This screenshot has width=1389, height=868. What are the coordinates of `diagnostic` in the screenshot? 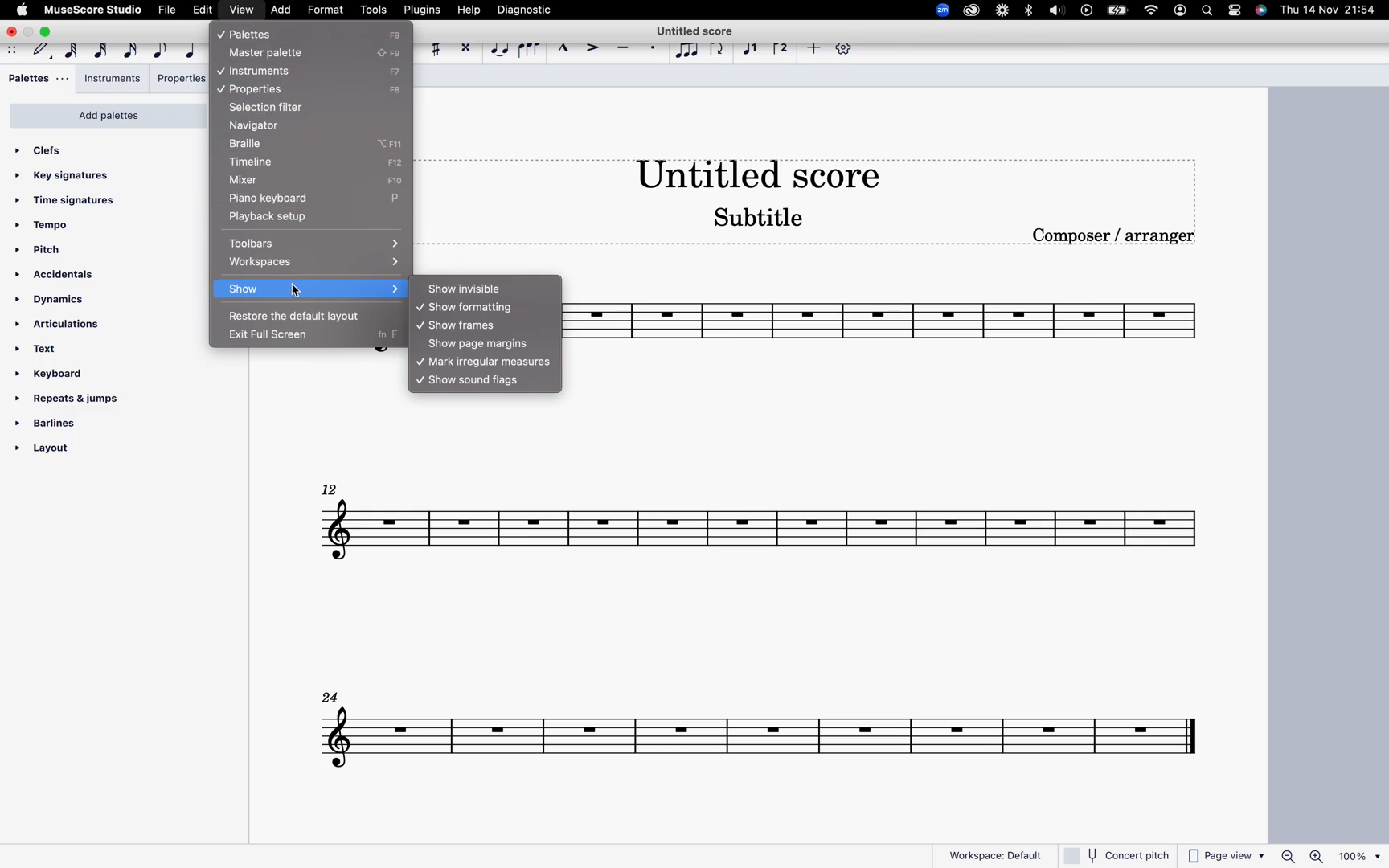 It's located at (524, 10).